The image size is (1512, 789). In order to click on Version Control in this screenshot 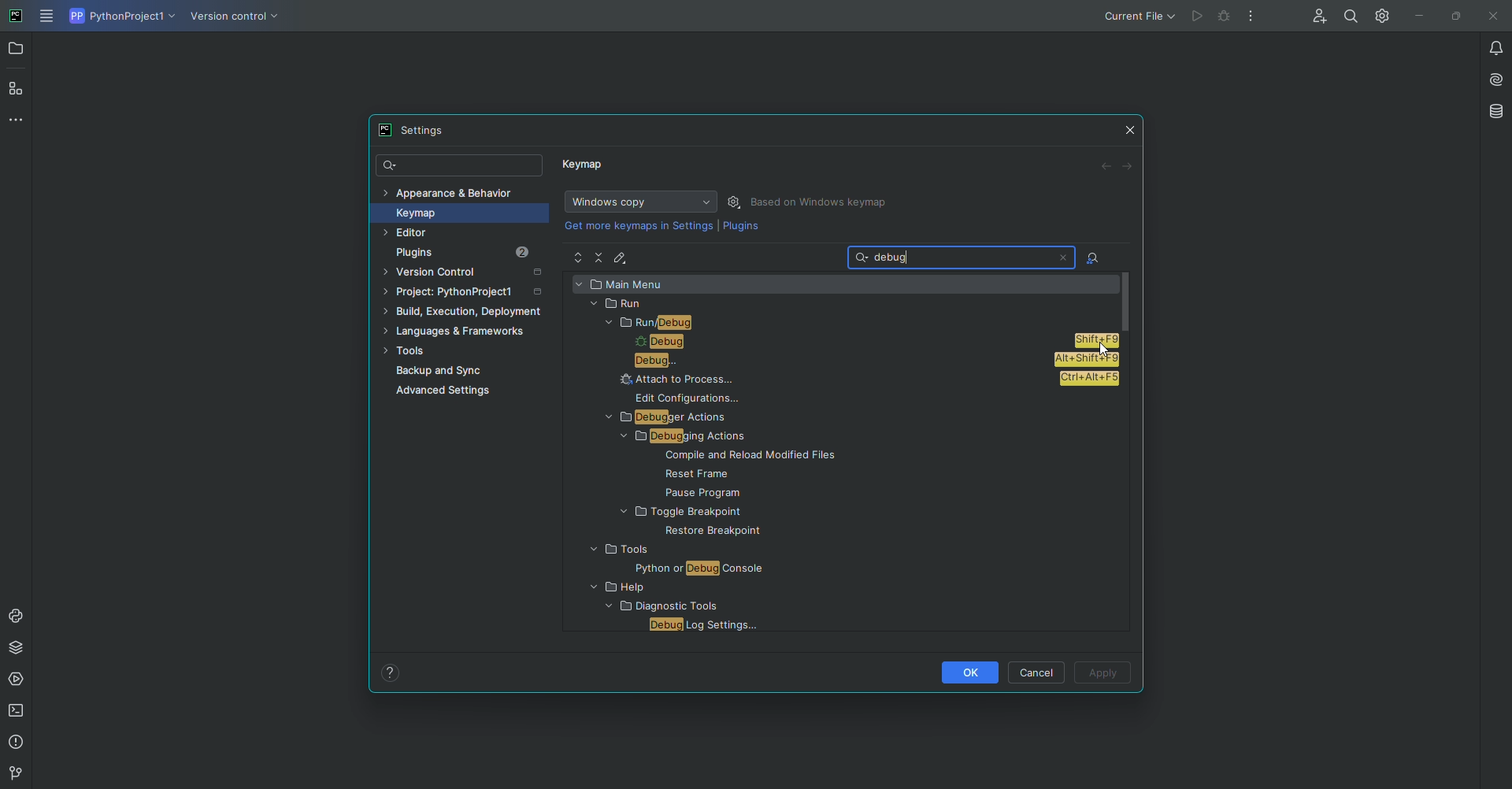, I will do `click(468, 274)`.